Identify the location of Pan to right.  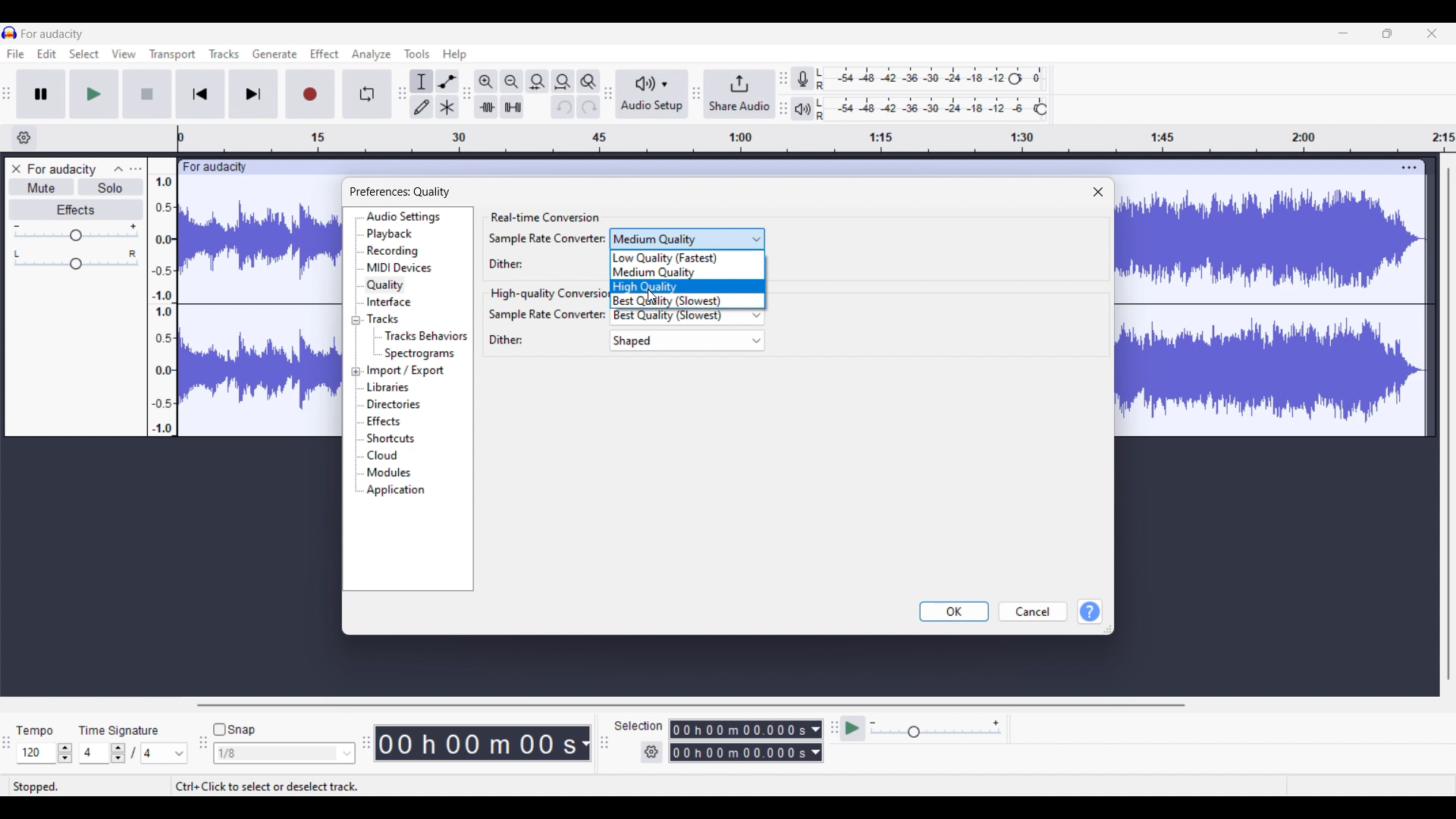
(133, 253).